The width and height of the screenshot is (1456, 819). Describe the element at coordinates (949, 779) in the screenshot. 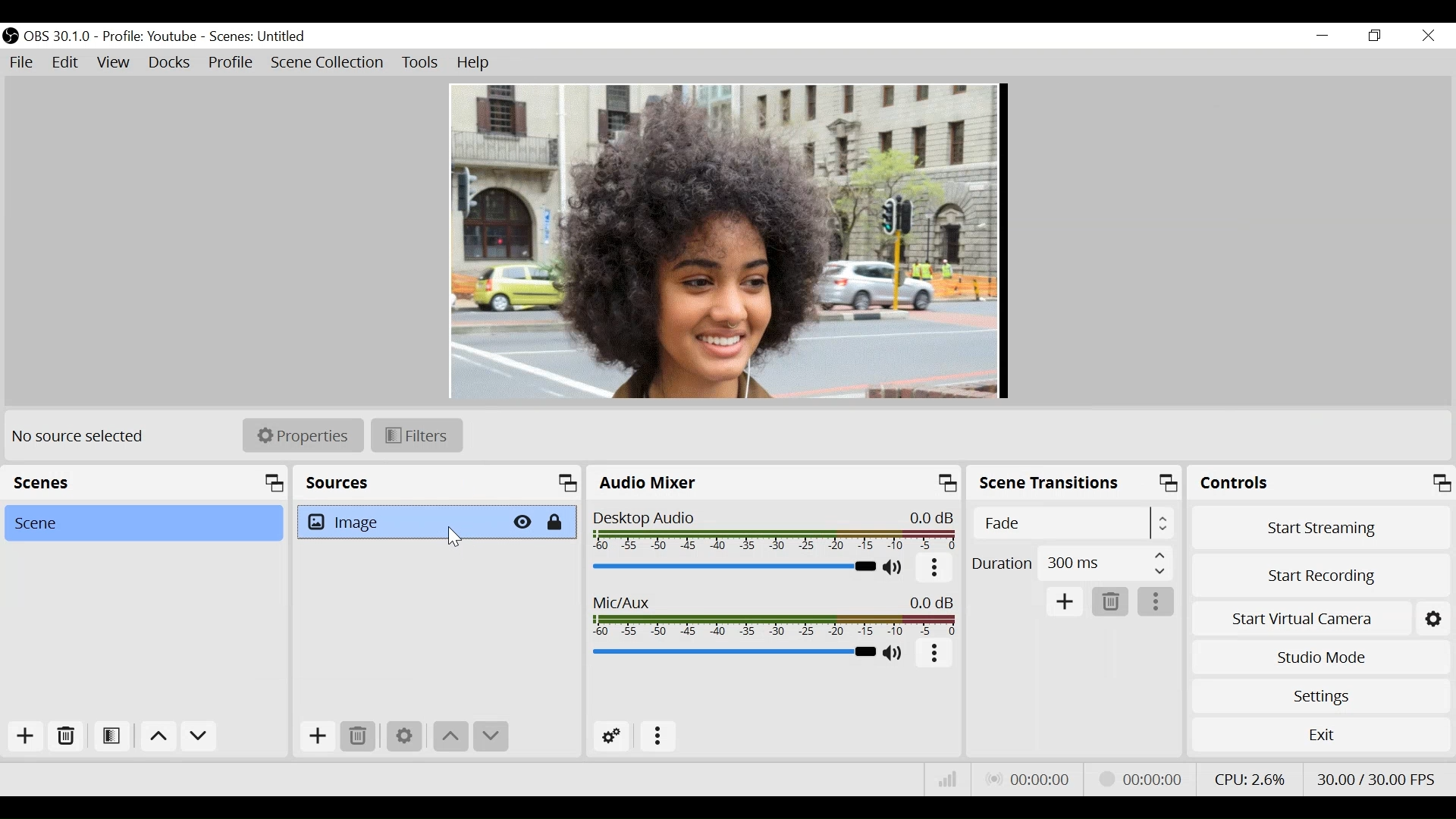

I see `Bitrate` at that location.